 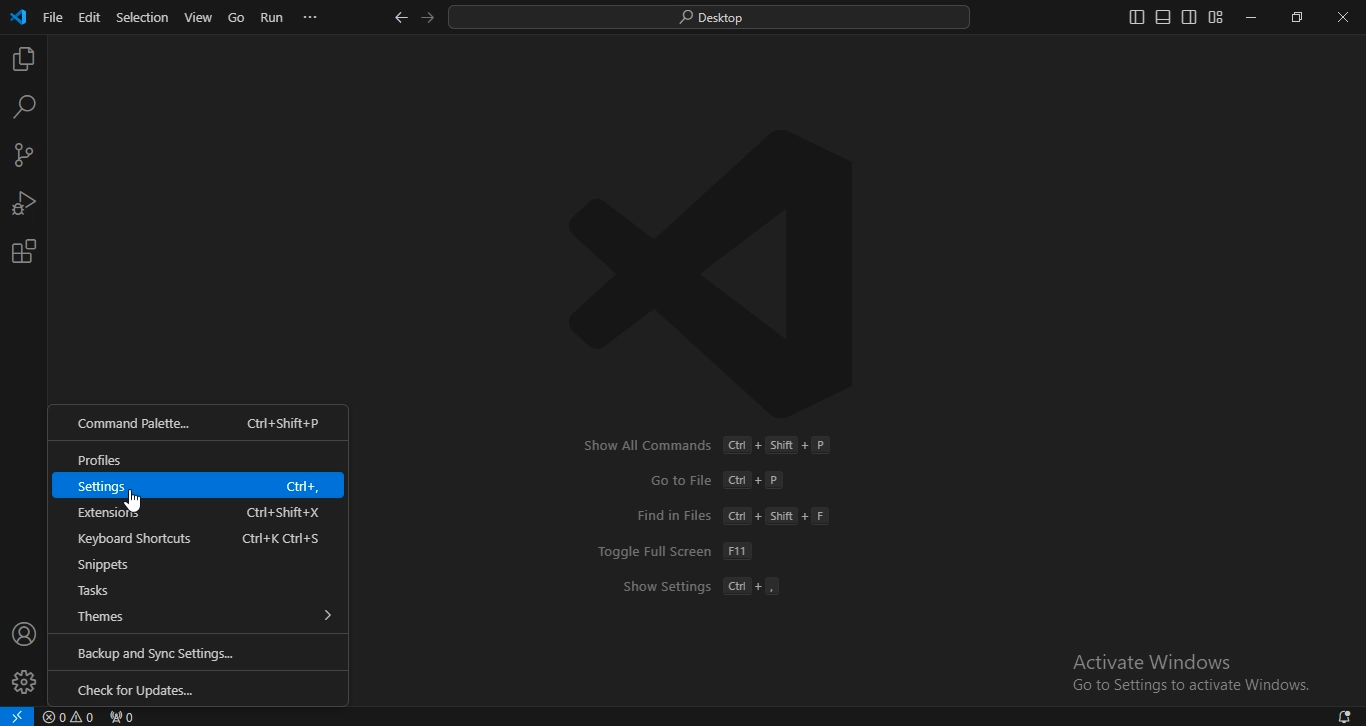 I want to click on text, so click(x=675, y=551).